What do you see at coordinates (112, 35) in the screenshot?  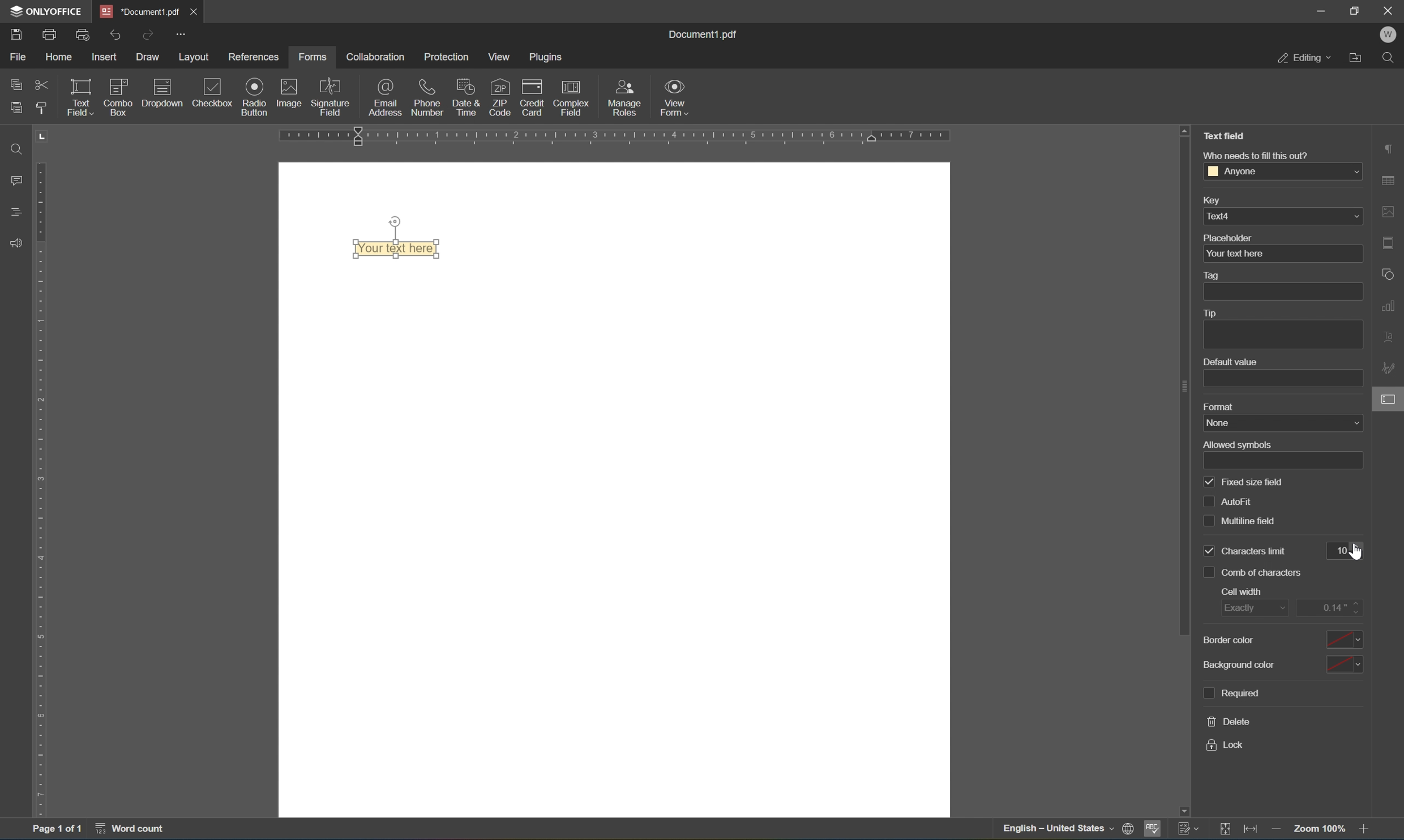 I see `undo` at bounding box center [112, 35].